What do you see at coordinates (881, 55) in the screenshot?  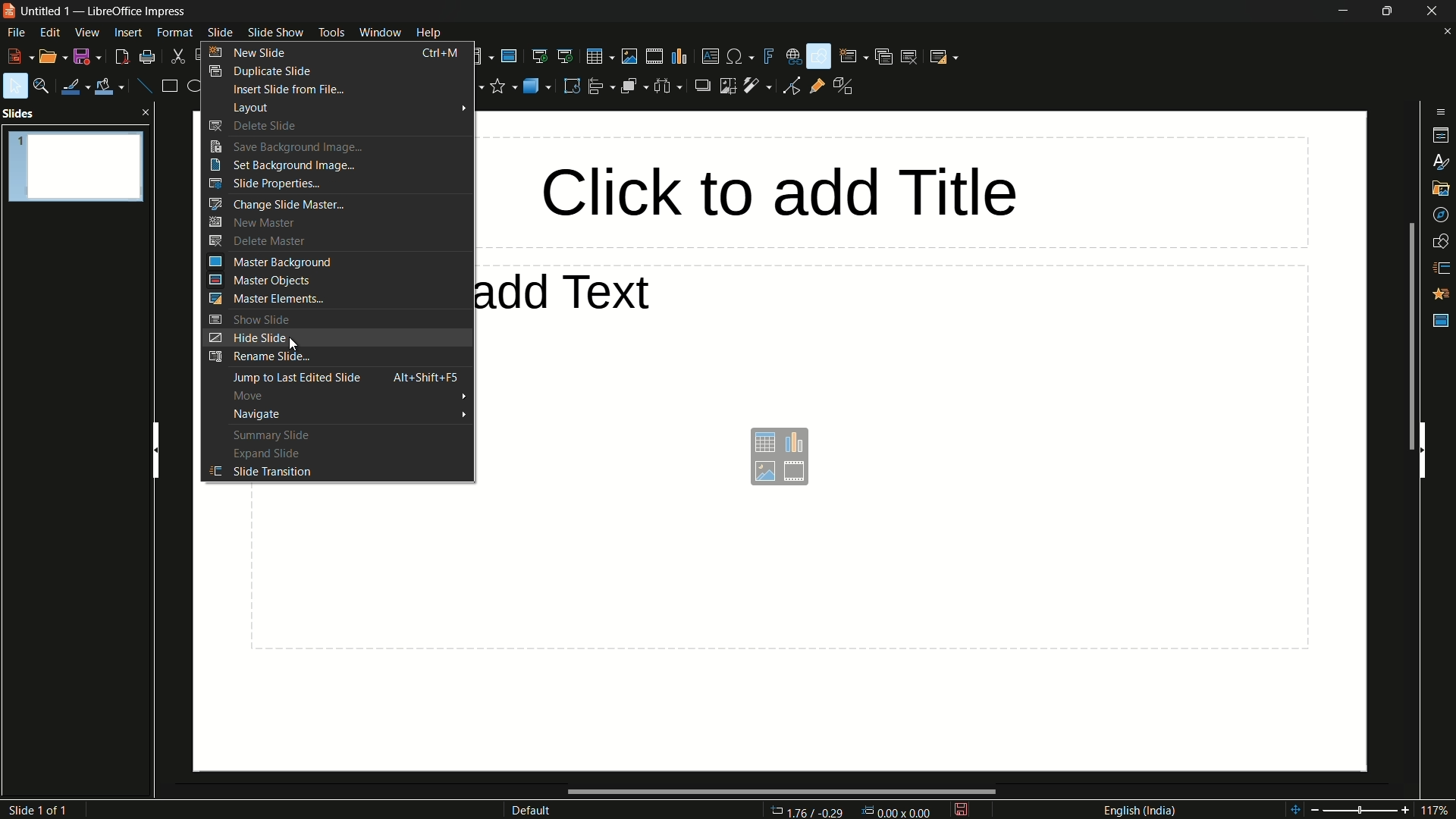 I see `duplicate slide` at bounding box center [881, 55].